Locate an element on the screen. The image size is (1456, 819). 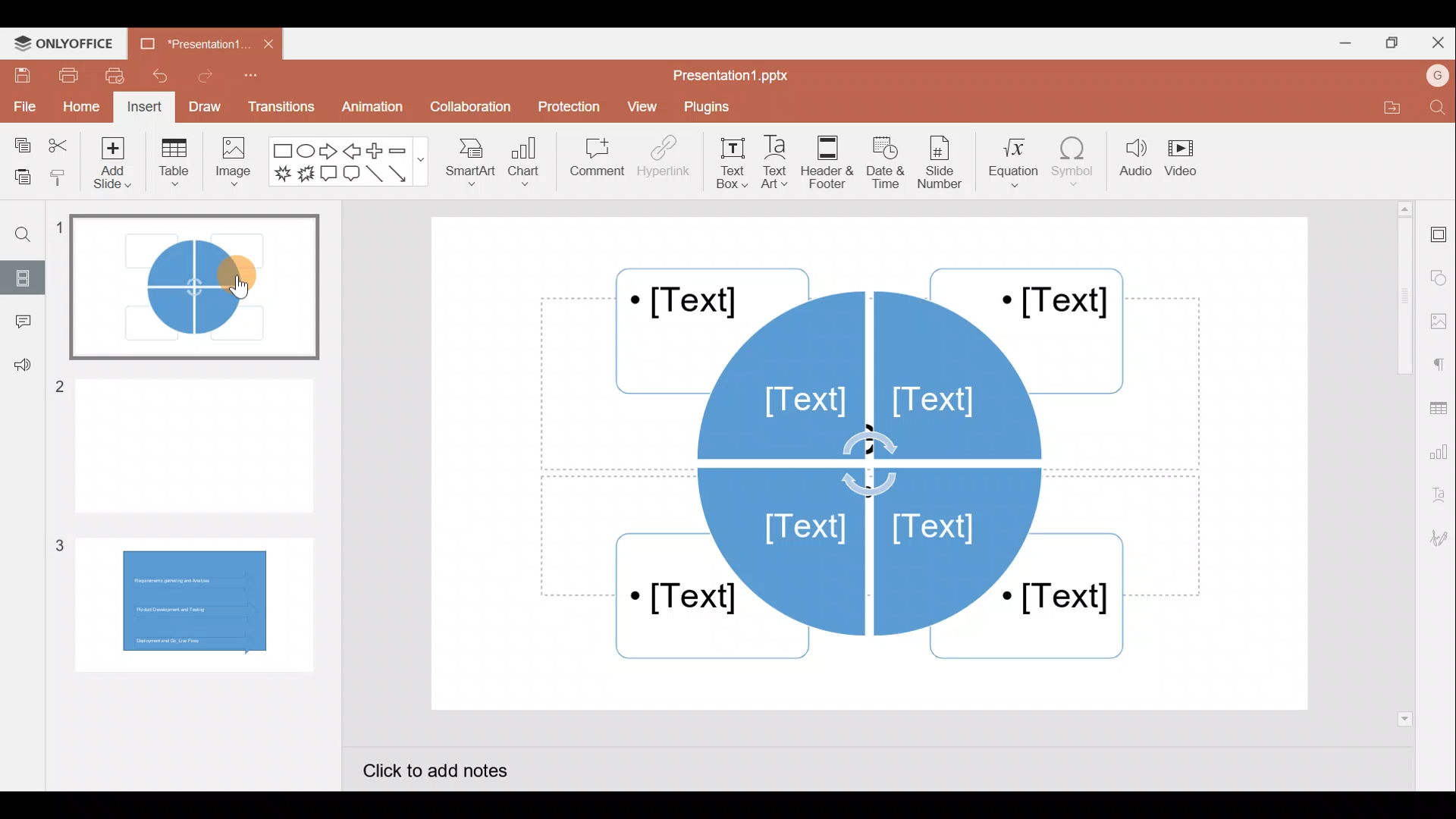
View is located at coordinates (642, 108).